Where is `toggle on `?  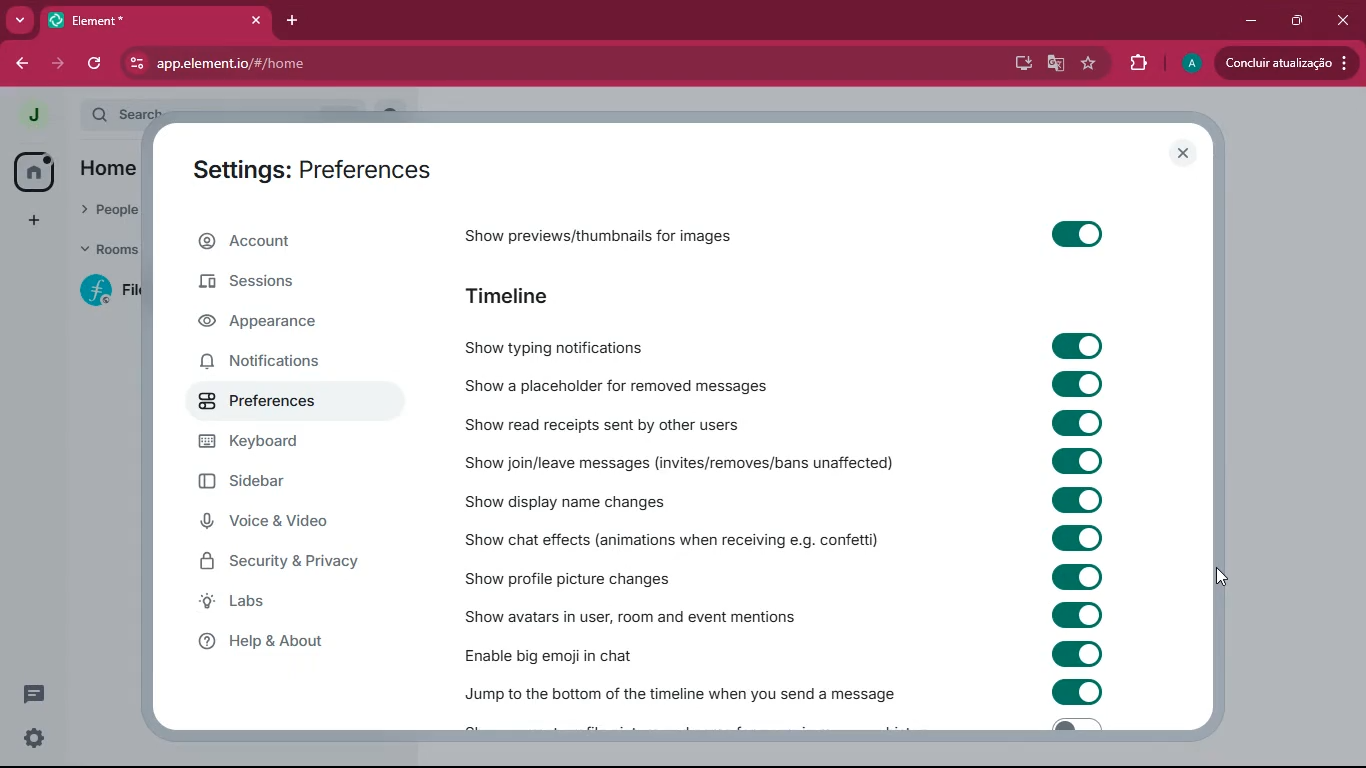
toggle on  is located at coordinates (1076, 385).